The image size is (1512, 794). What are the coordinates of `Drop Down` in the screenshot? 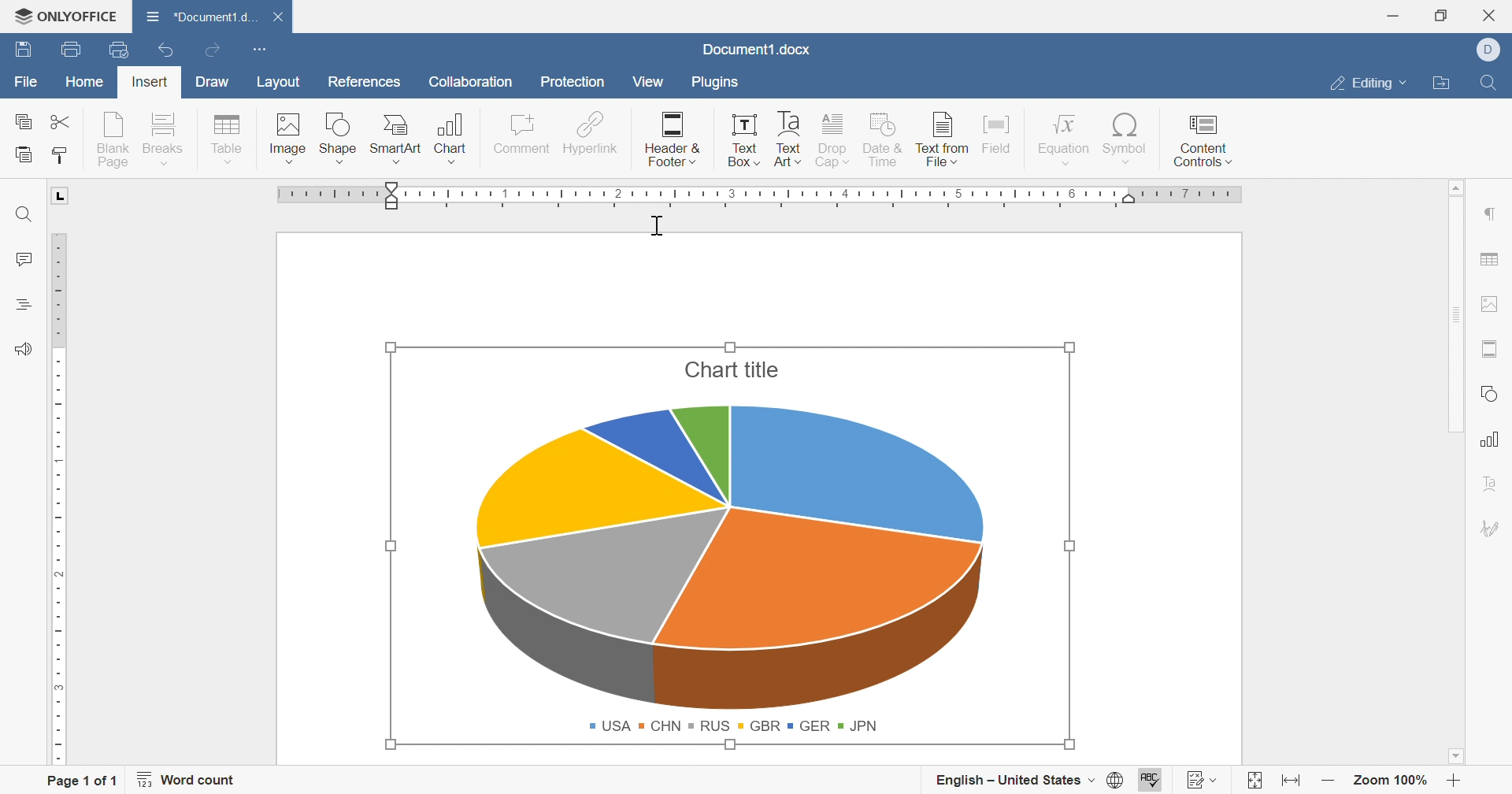 It's located at (1091, 780).